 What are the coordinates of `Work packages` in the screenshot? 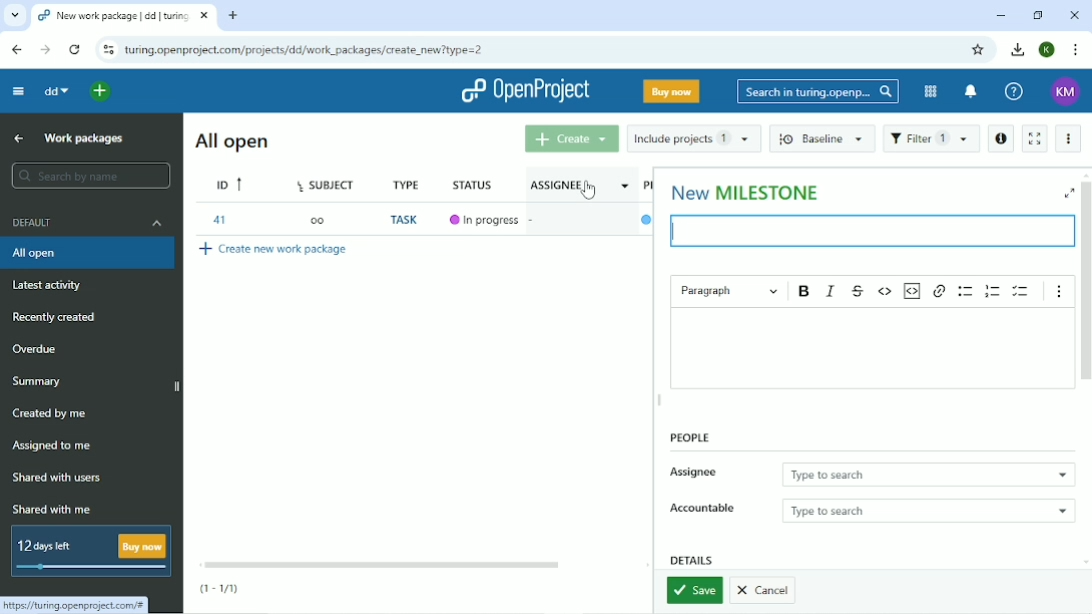 It's located at (83, 139).